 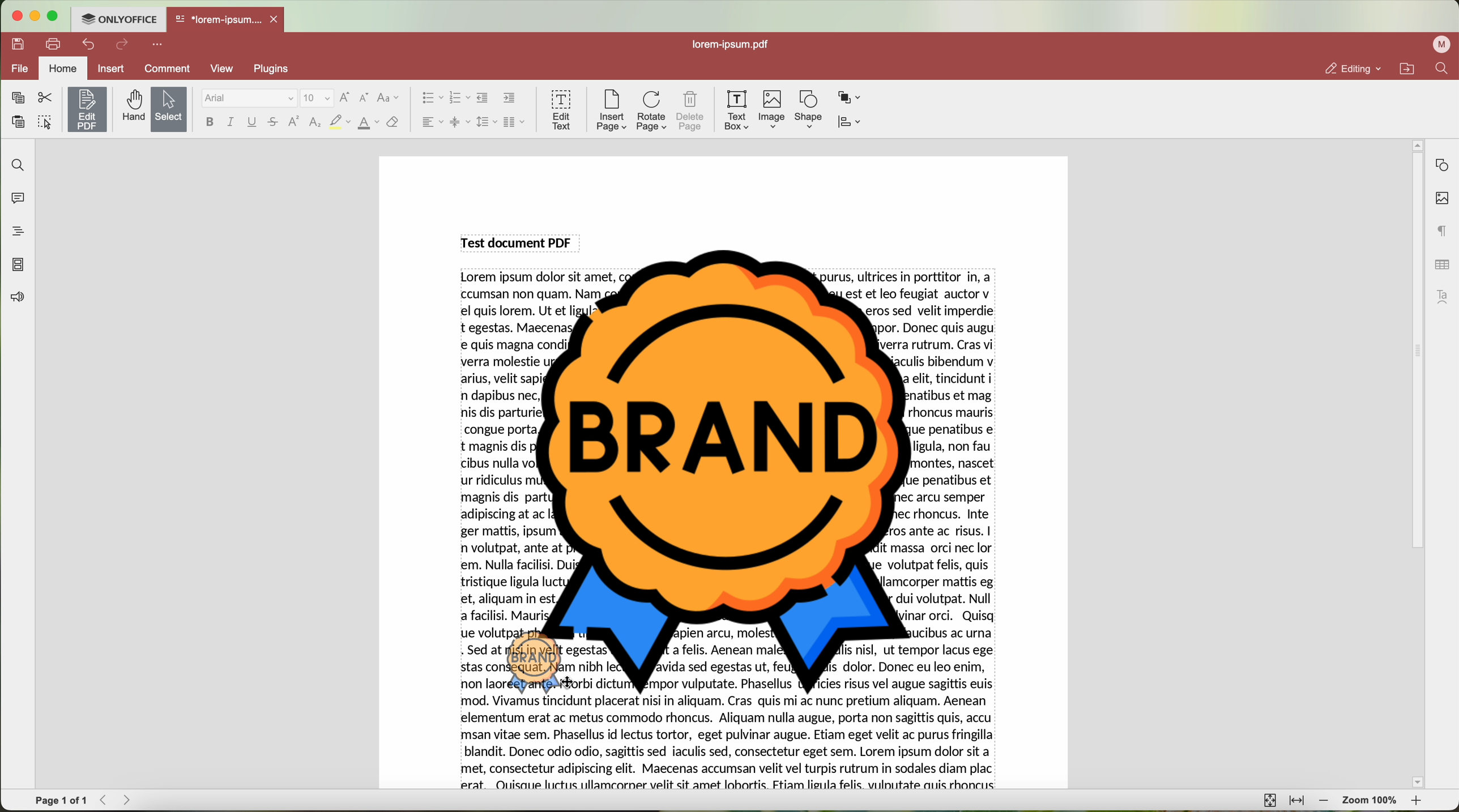 What do you see at coordinates (231, 122) in the screenshot?
I see `italic` at bounding box center [231, 122].